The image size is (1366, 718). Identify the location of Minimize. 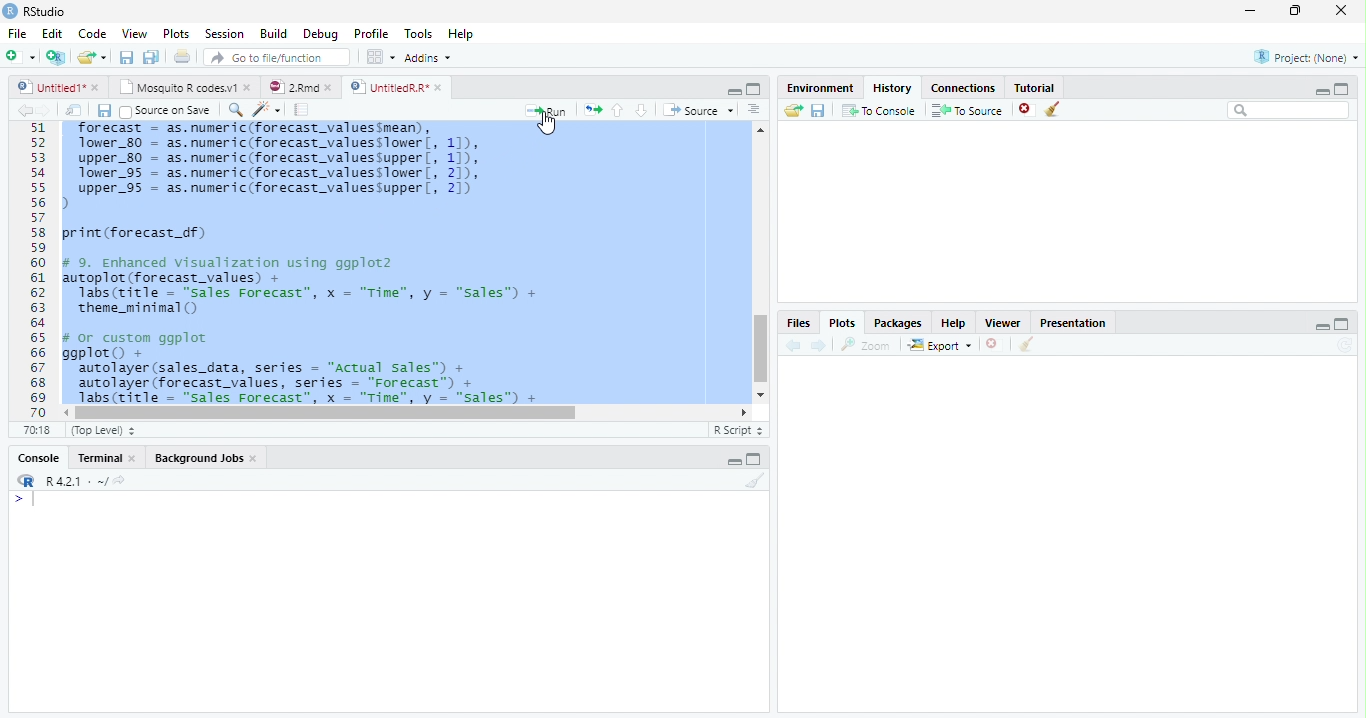
(734, 91).